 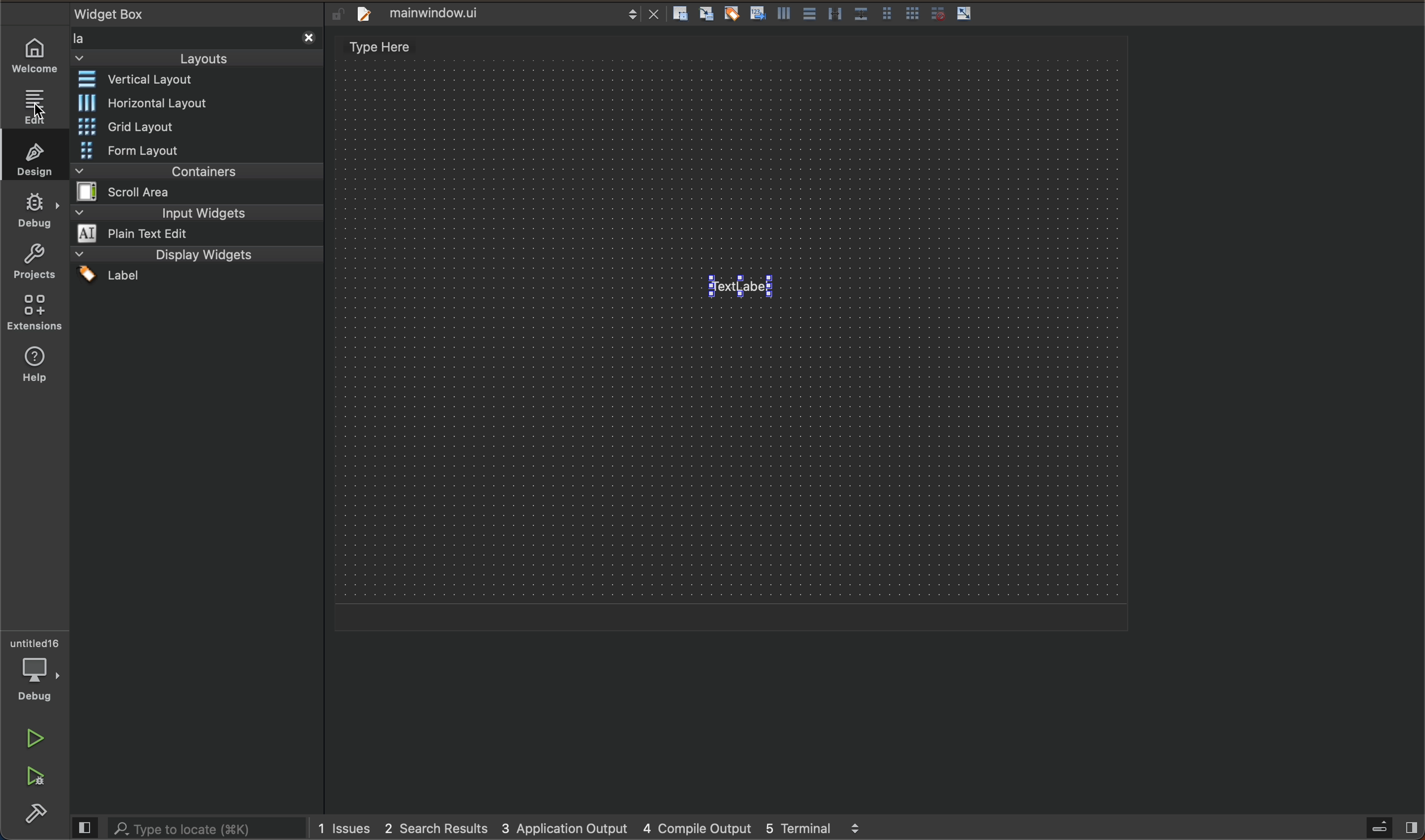 What do you see at coordinates (34, 312) in the screenshot?
I see `extensions` at bounding box center [34, 312].